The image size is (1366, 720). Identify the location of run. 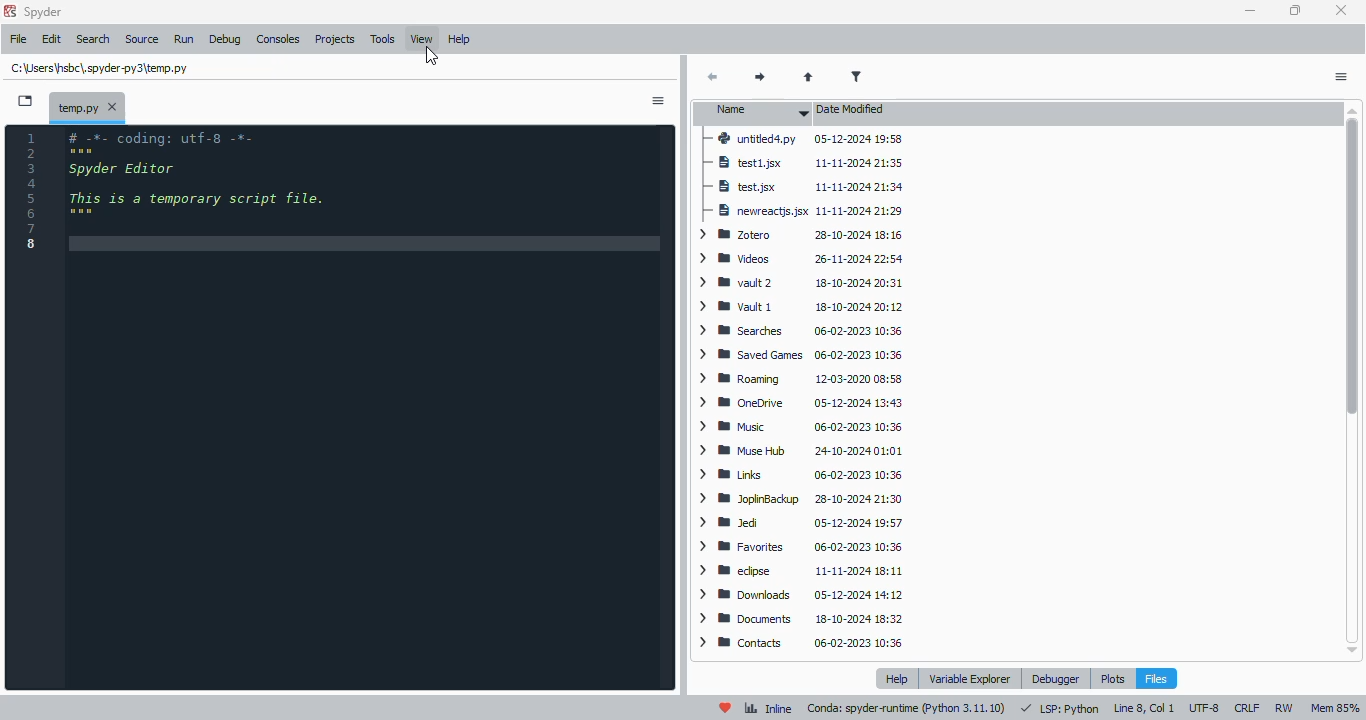
(185, 40).